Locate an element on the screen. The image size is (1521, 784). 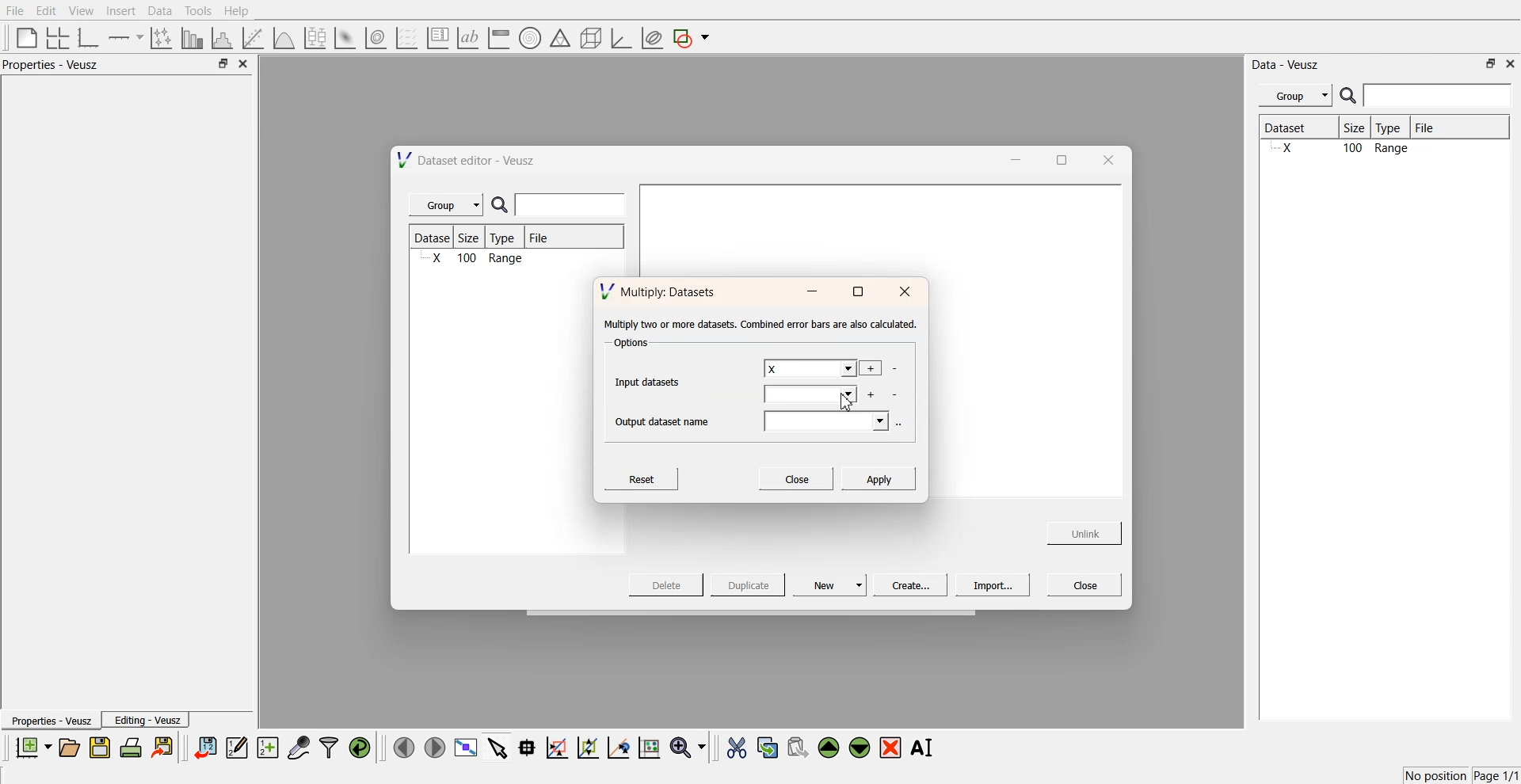
minimise is located at coordinates (1012, 158).